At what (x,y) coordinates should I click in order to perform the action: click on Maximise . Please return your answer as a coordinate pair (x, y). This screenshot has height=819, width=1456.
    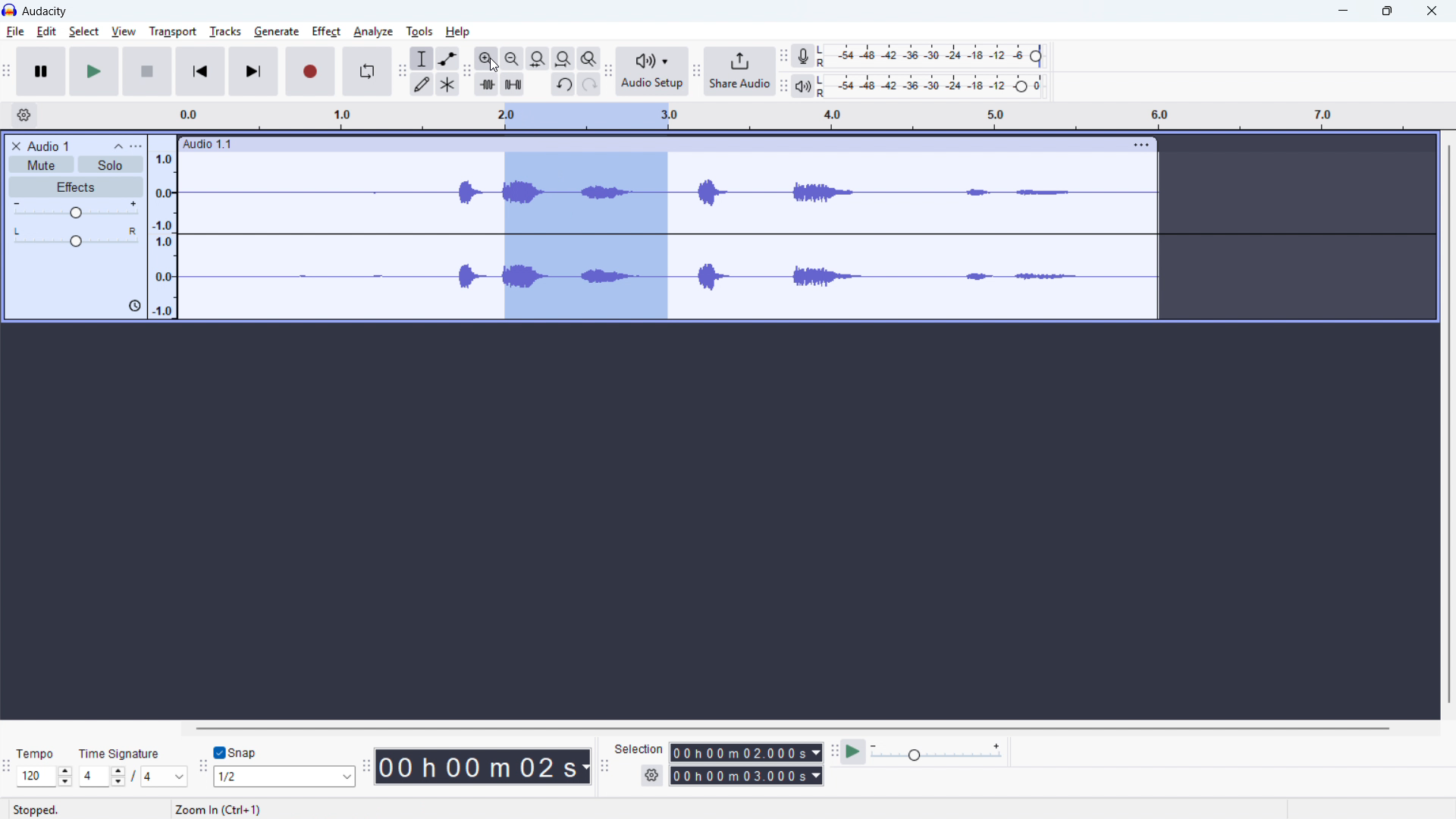
    Looking at the image, I should click on (1388, 11).